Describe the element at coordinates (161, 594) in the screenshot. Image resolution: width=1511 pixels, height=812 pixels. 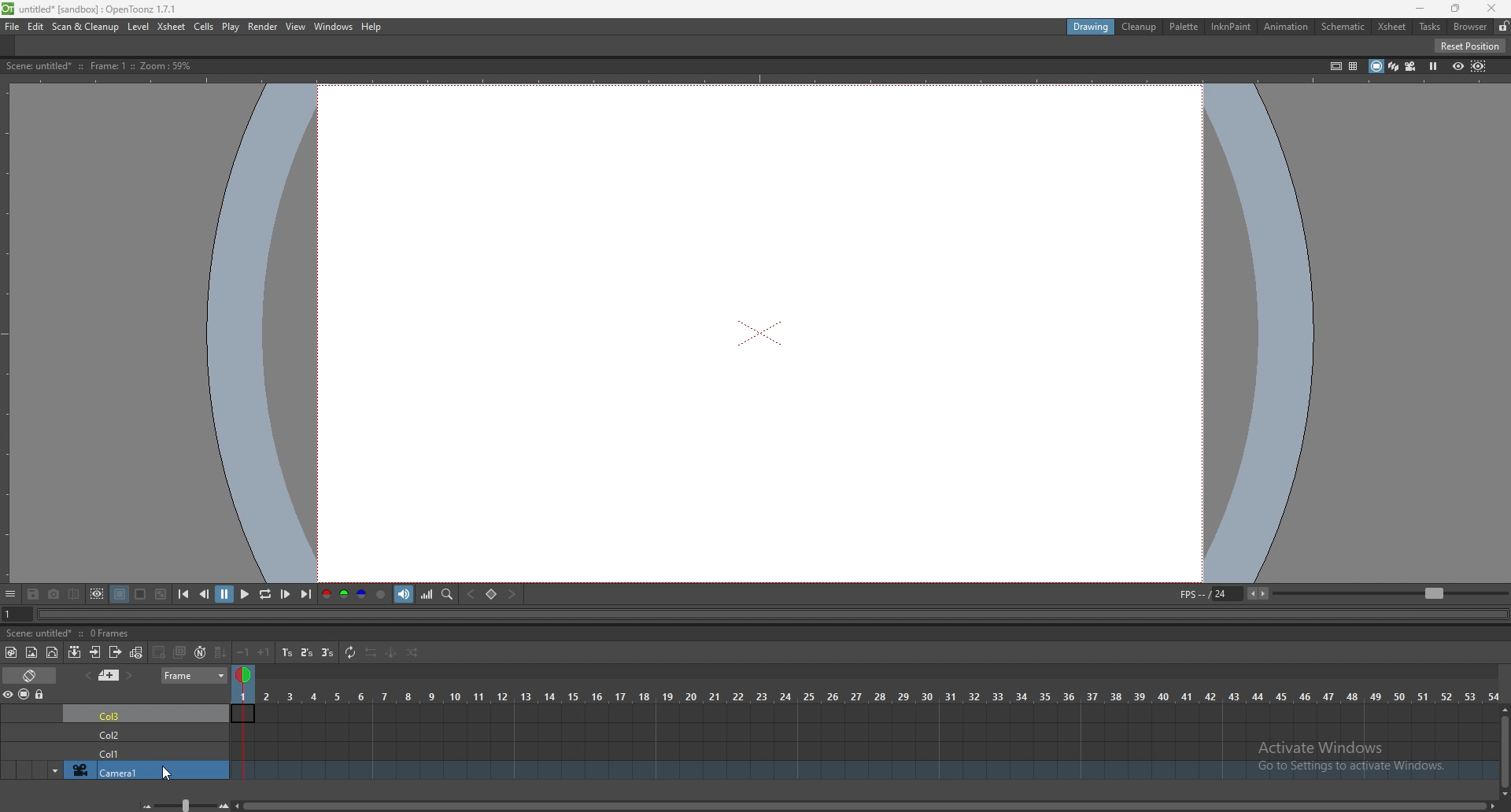
I see `checkered background` at that location.